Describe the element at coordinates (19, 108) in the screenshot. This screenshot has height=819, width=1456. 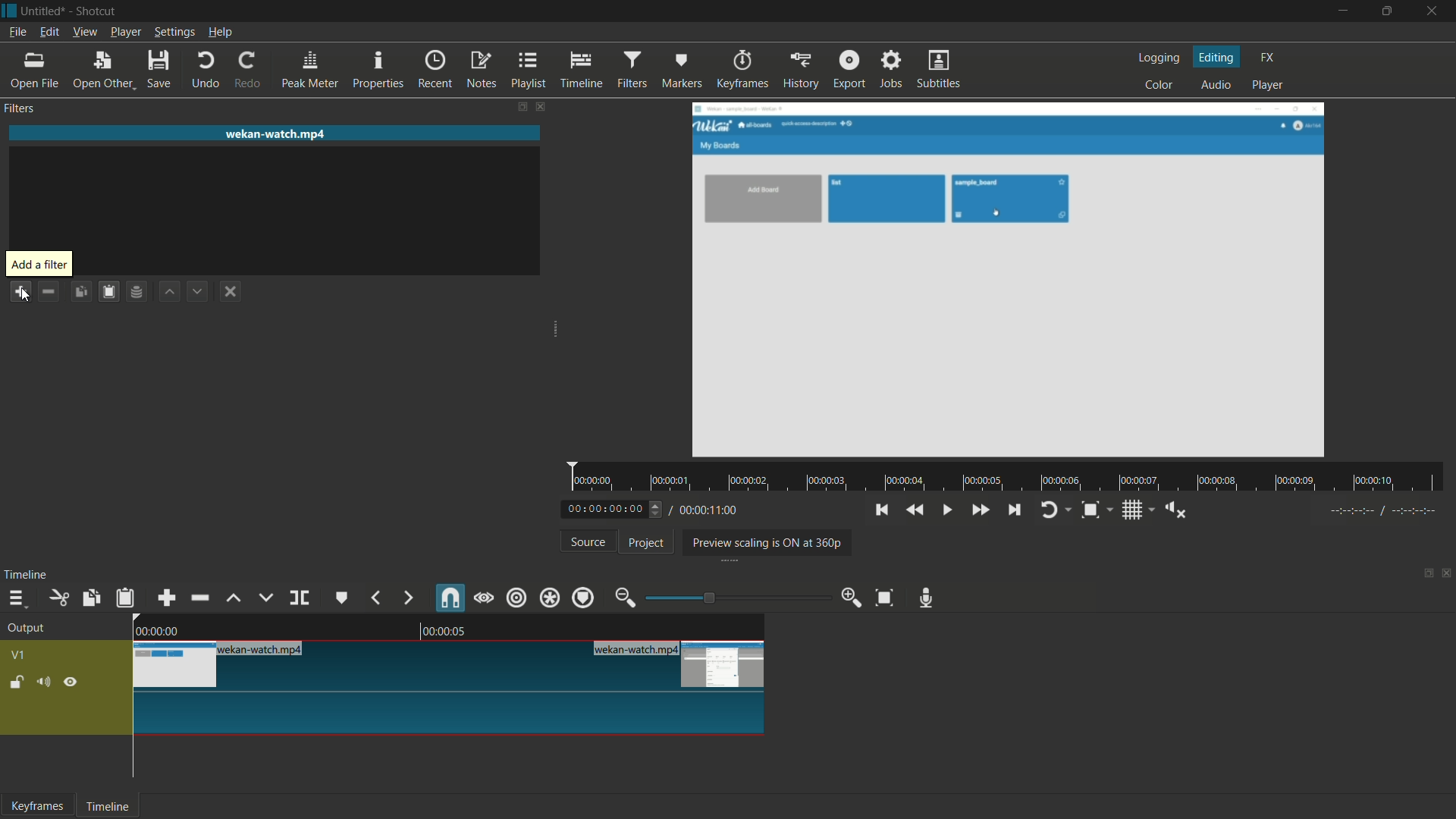
I see `filters` at that location.